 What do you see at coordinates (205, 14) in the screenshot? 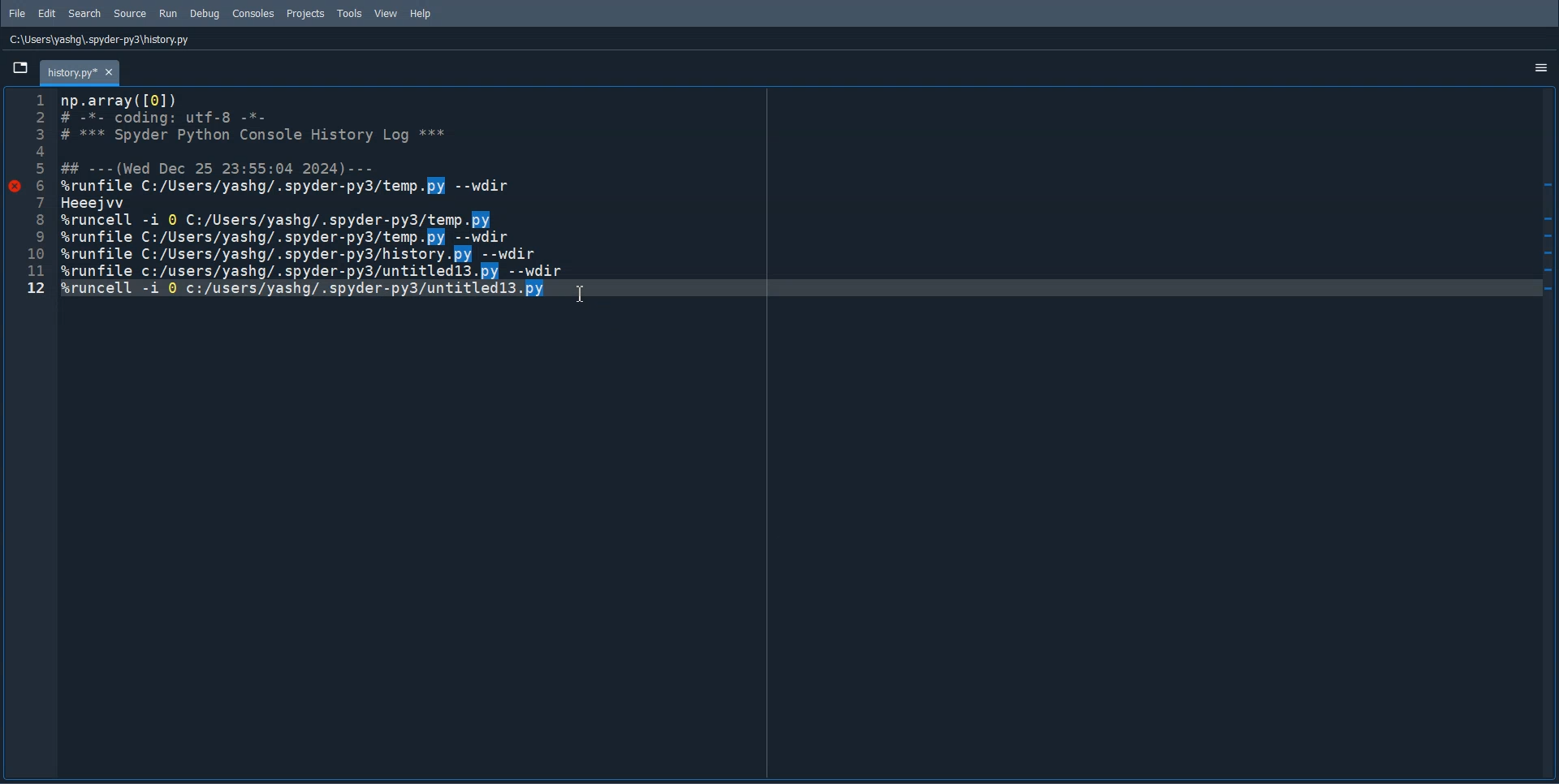
I see `Debug` at bounding box center [205, 14].